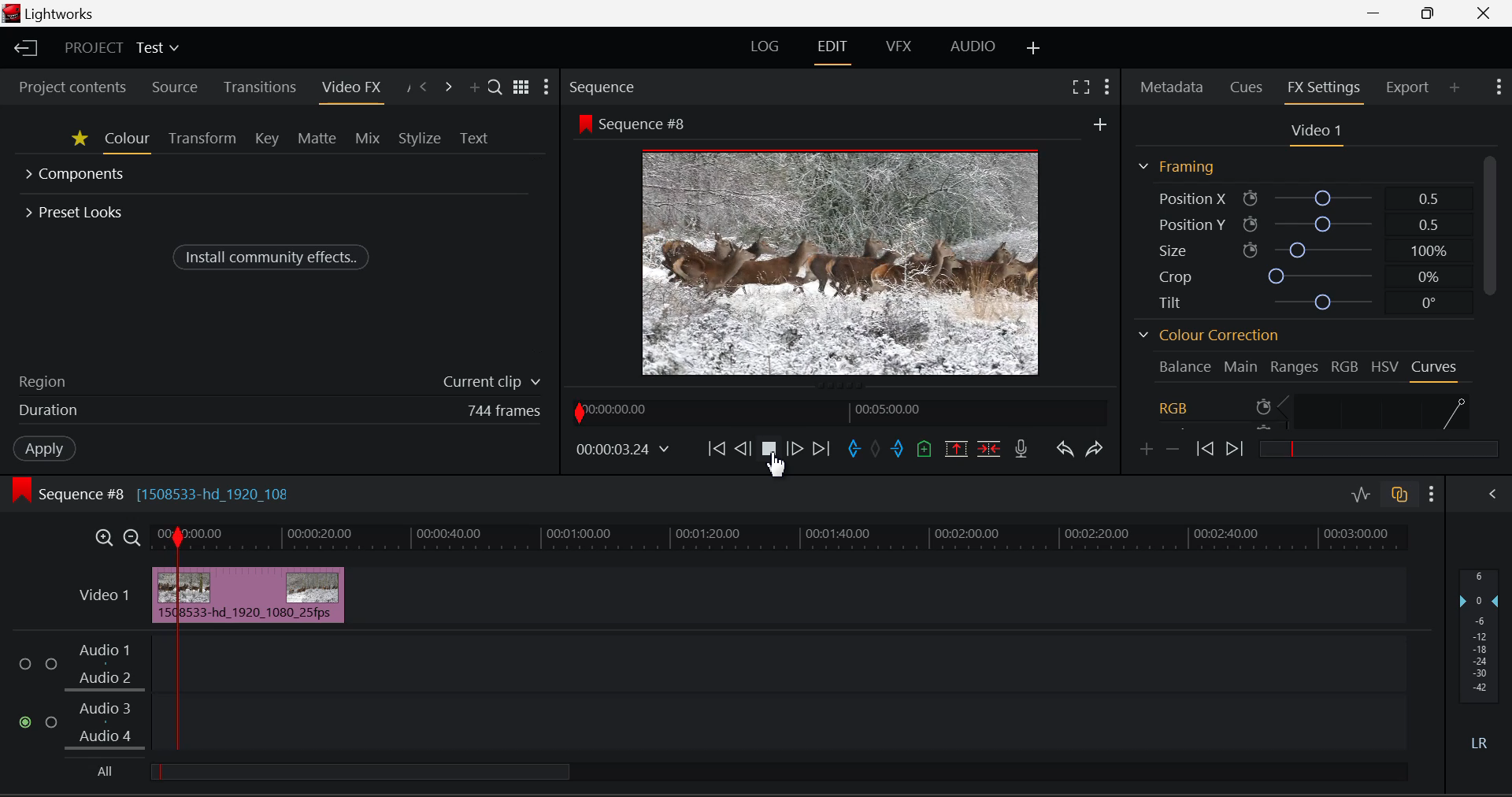  What do you see at coordinates (1478, 656) in the screenshot?
I see `Decibel Level` at bounding box center [1478, 656].